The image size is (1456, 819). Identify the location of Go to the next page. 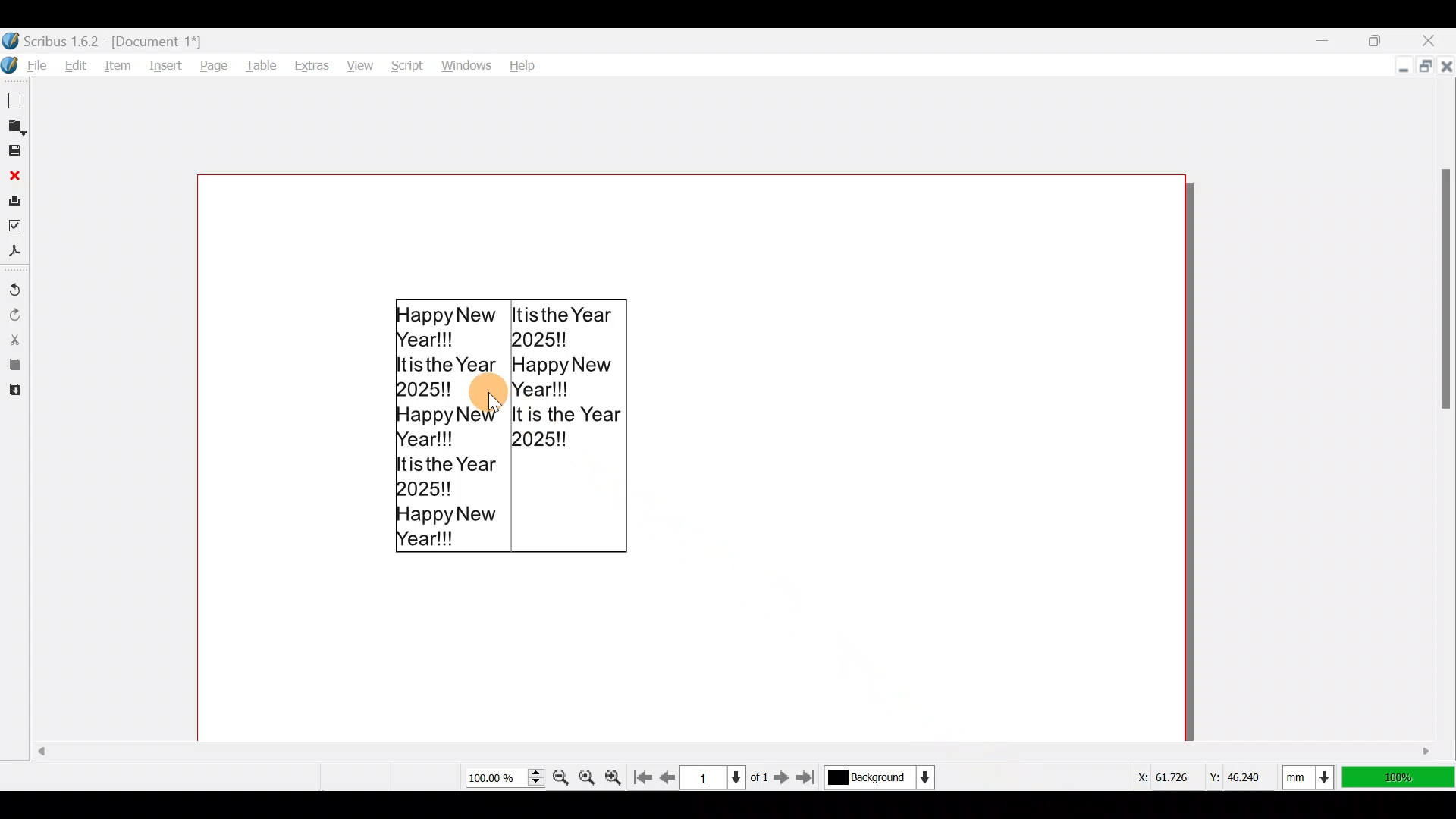
(782, 777).